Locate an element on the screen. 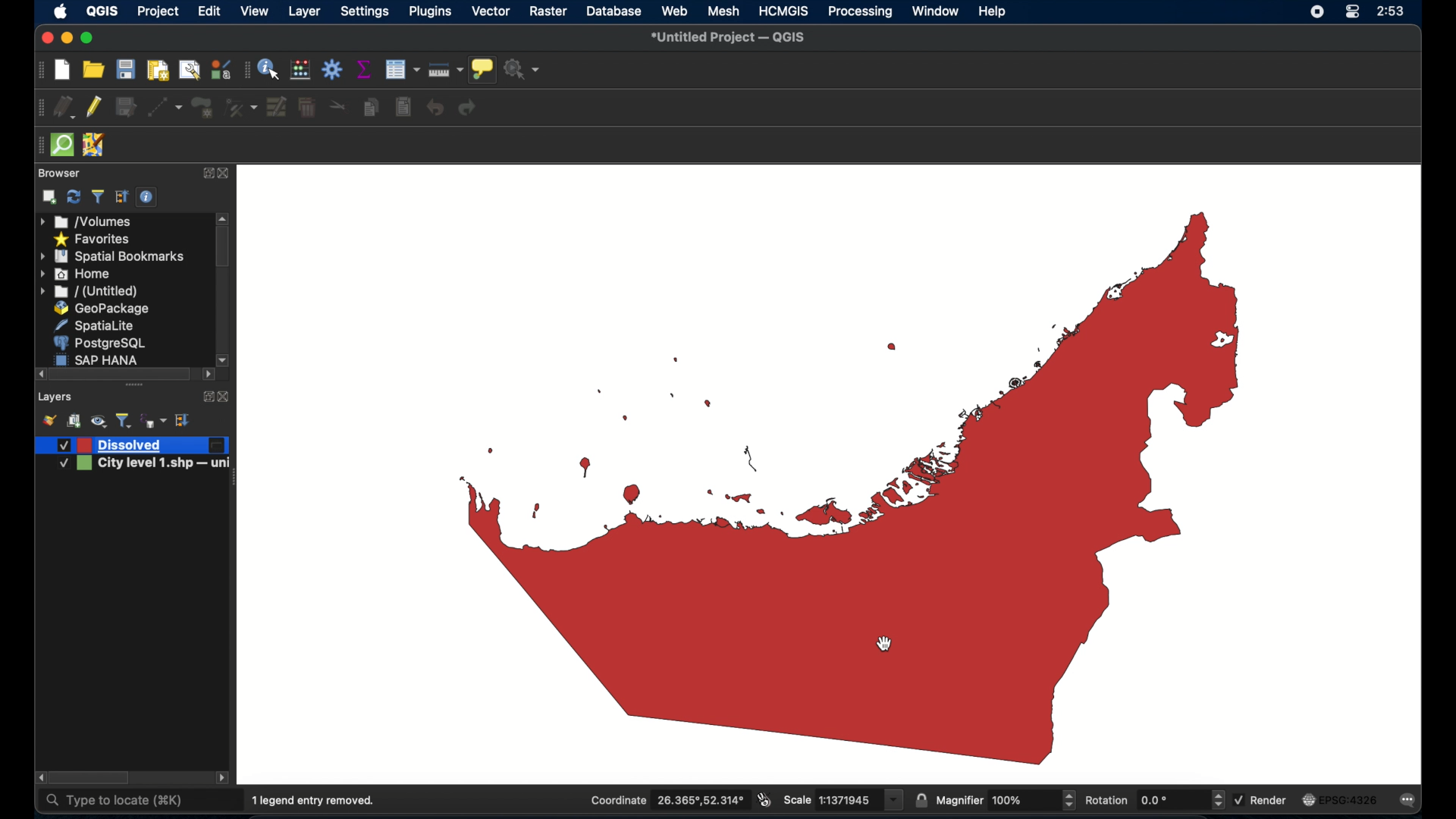  redo is located at coordinates (471, 108).